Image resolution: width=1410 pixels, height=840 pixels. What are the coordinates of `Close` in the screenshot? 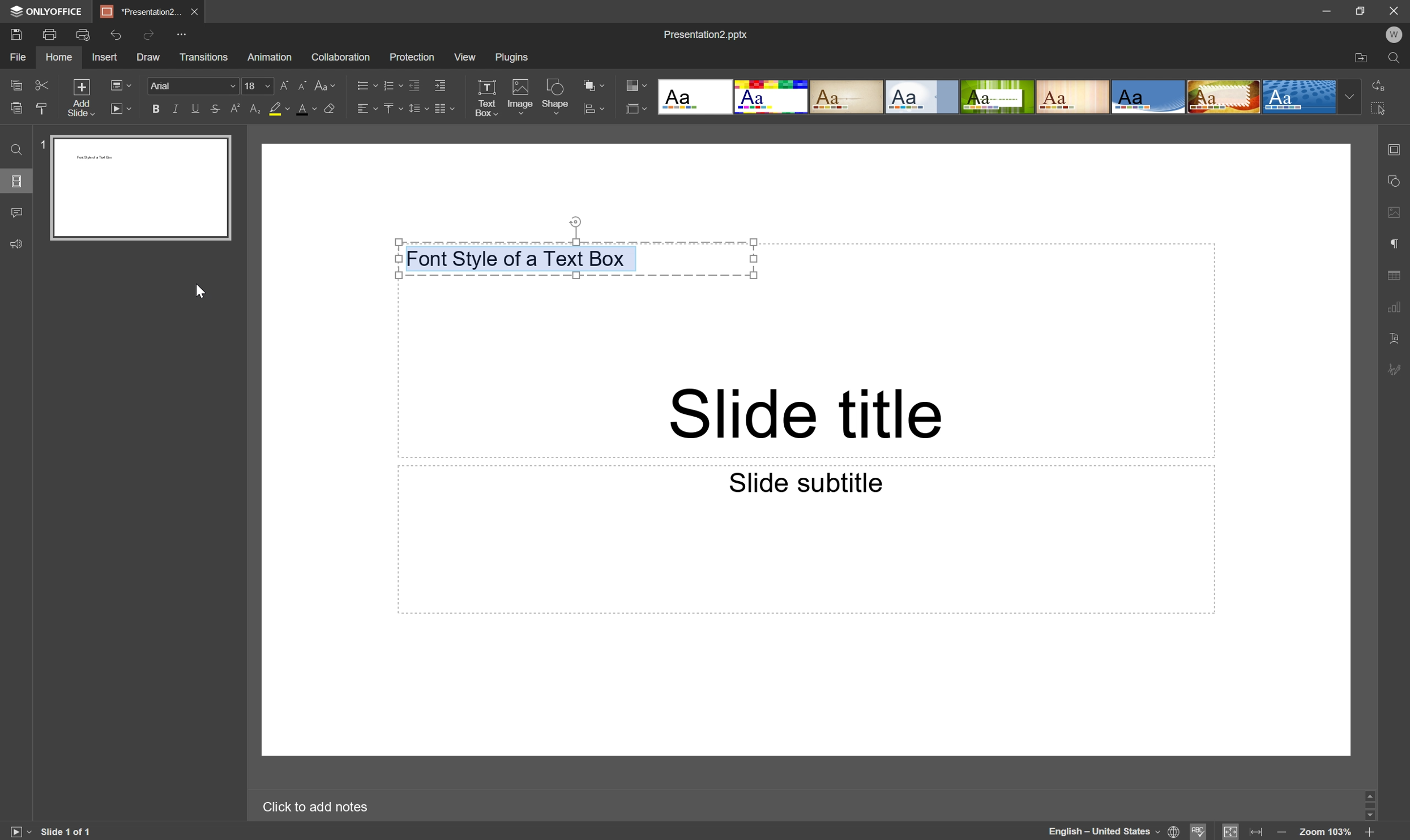 It's located at (196, 11).